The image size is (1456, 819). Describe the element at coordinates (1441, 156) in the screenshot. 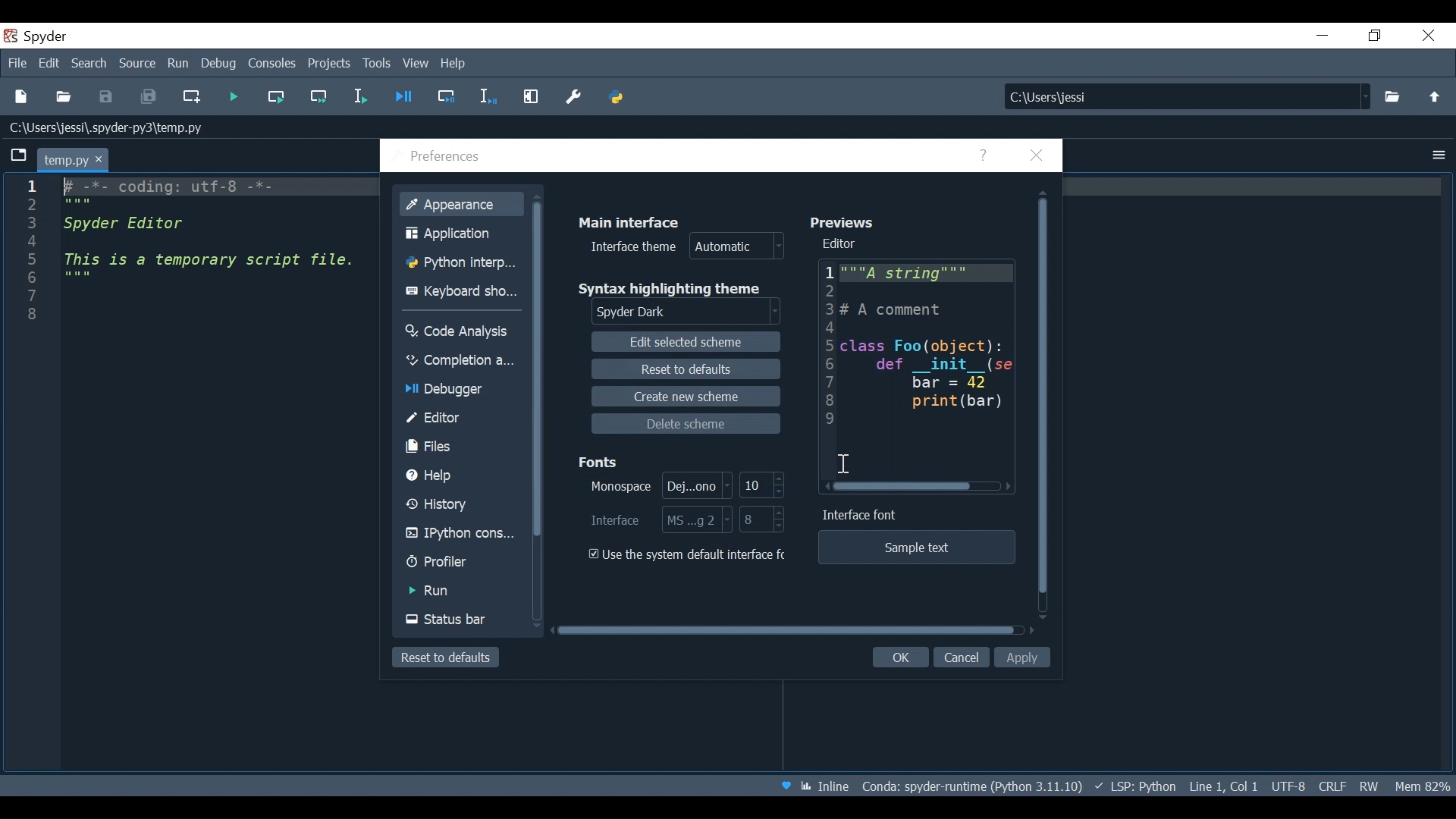

I see `Options` at that location.